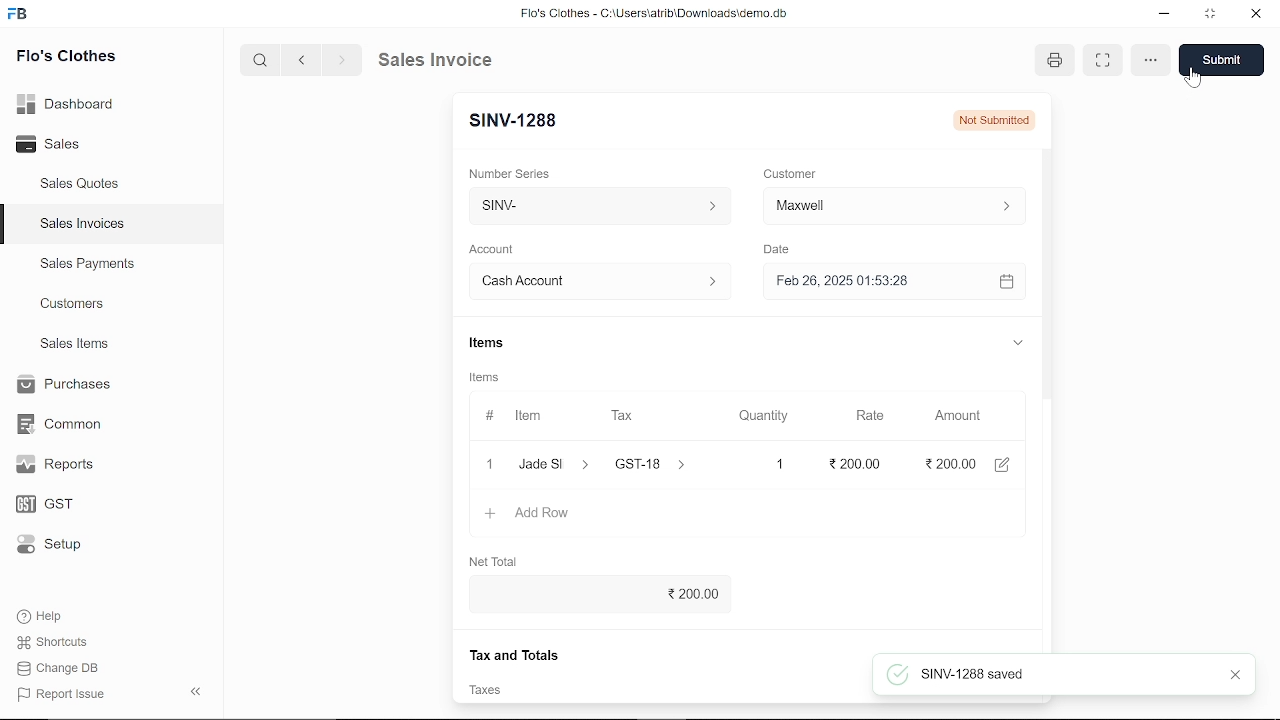  Describe the element at coordinates (1058, 61) in the screenshot. I see `print` at that location.